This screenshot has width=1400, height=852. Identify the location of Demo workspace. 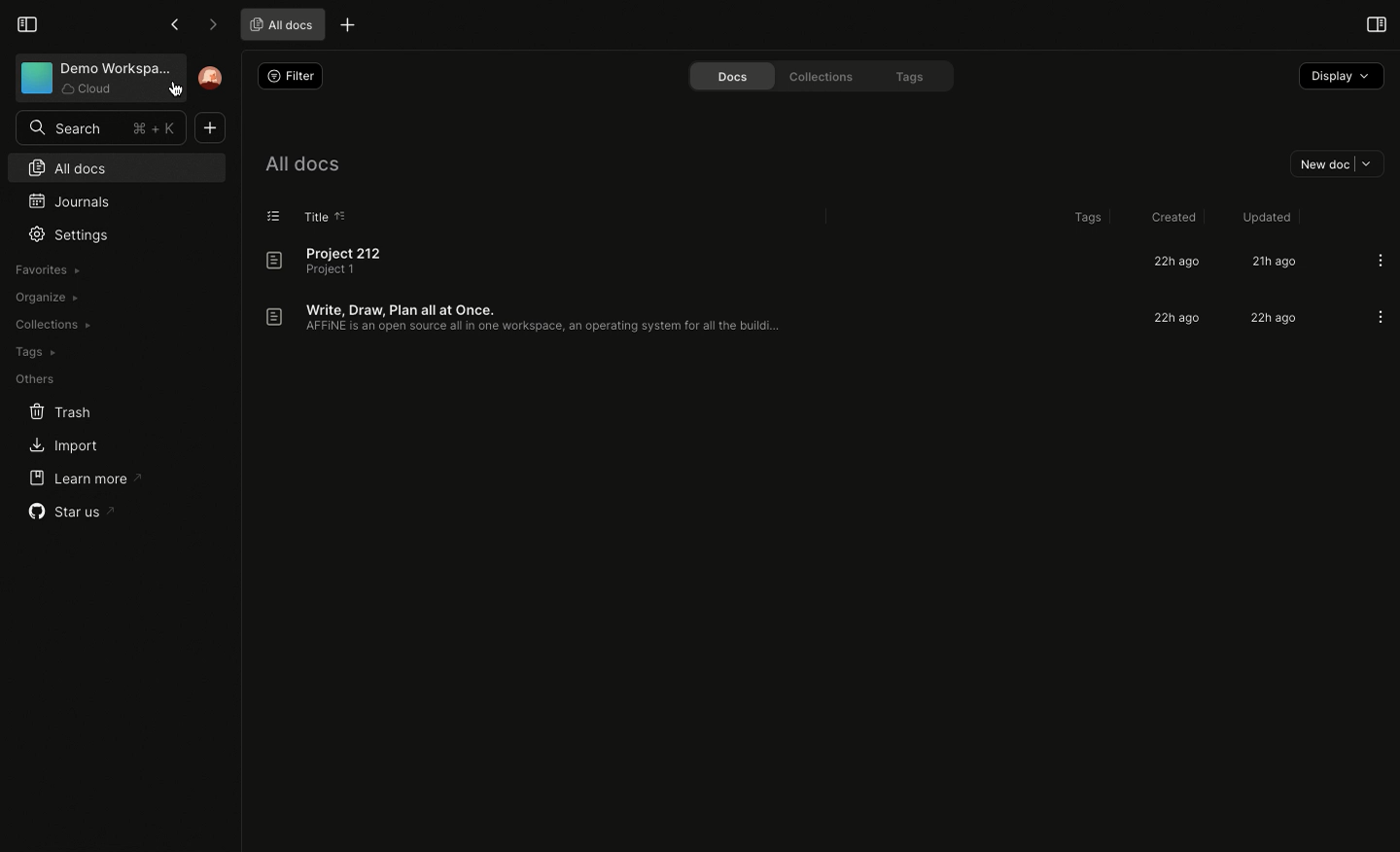
(96, 79).